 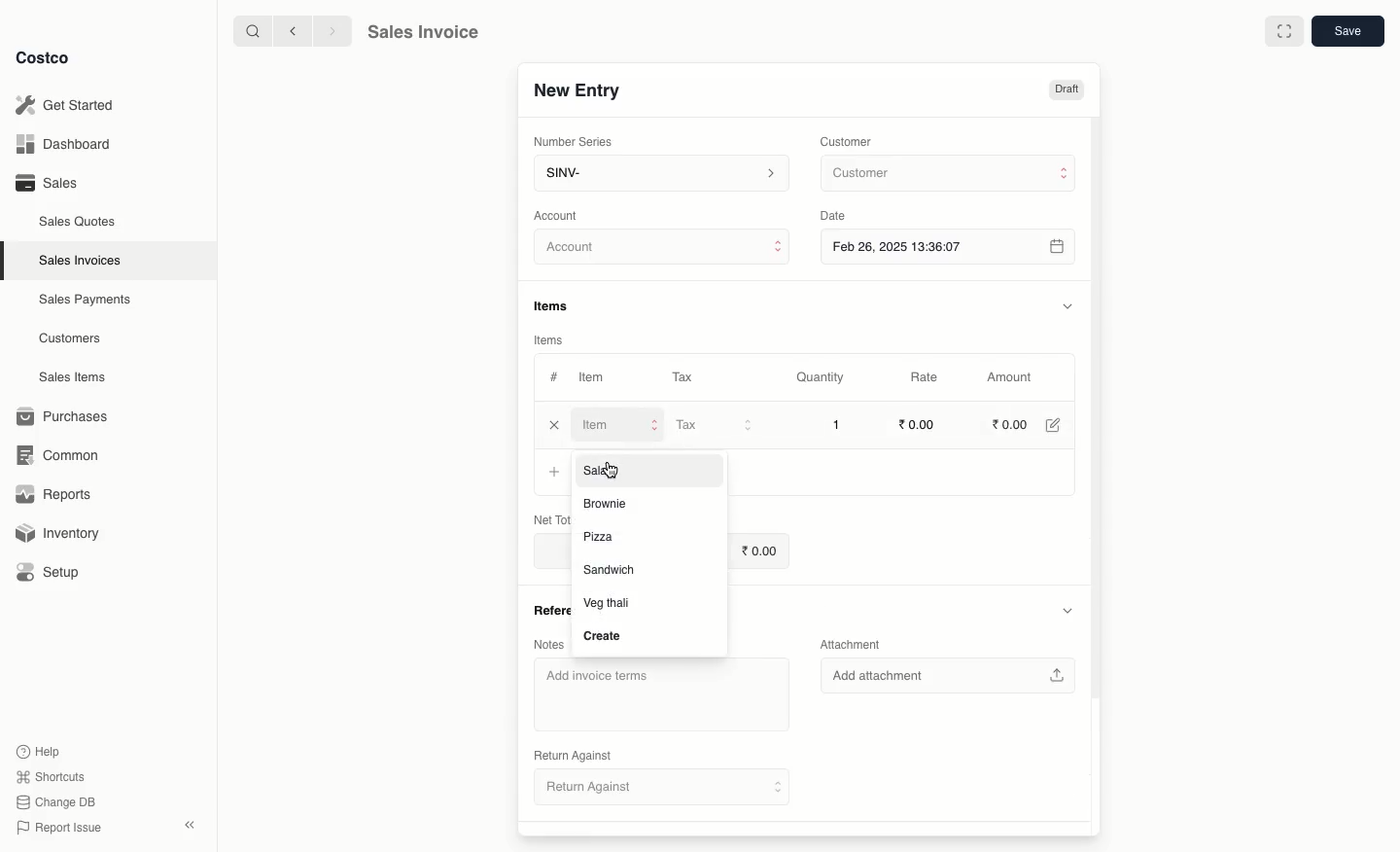 I want to click on Customer, so click(x=946, y=174).